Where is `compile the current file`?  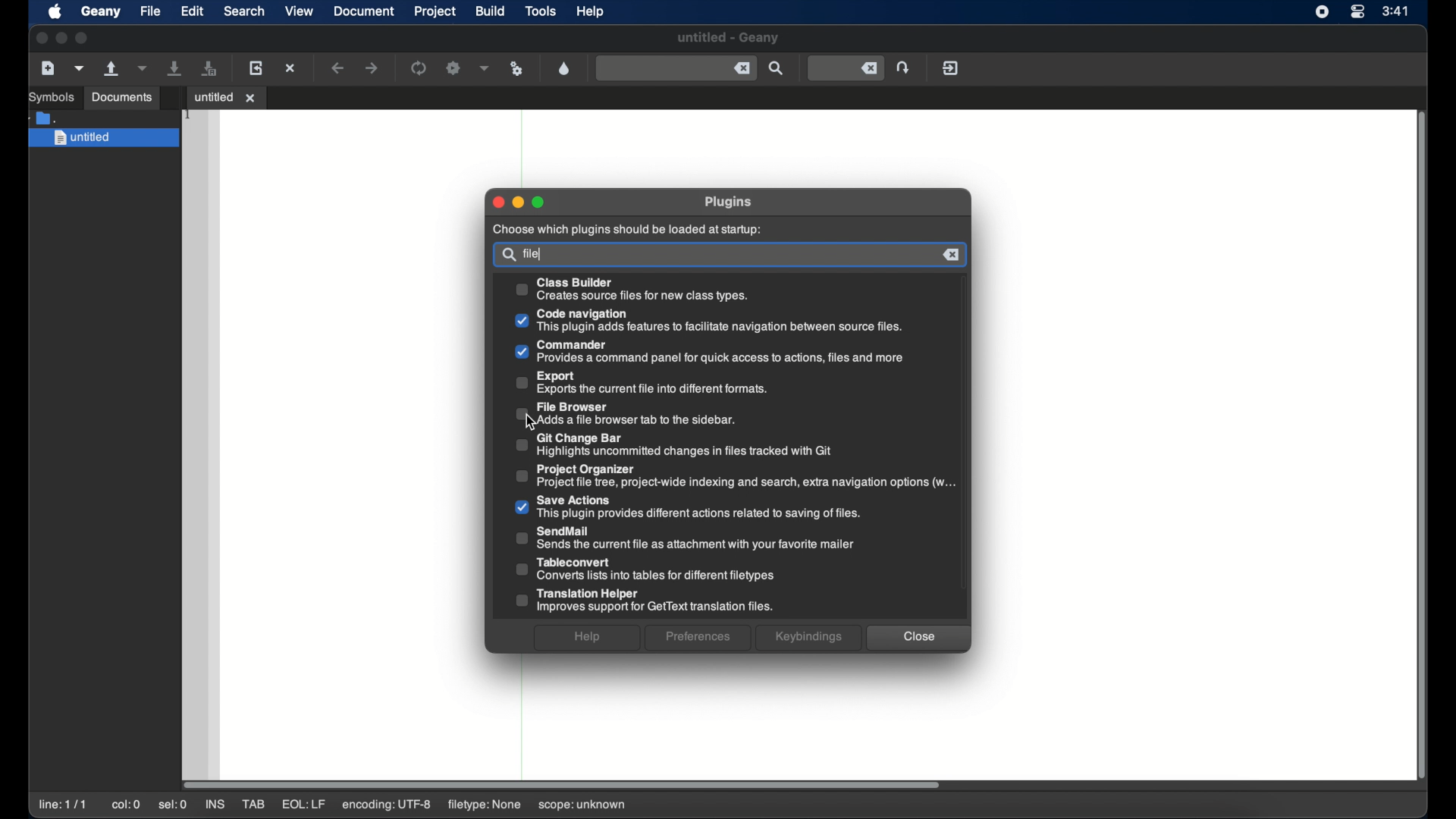 compile the current file is located at coordinates (419, 67).